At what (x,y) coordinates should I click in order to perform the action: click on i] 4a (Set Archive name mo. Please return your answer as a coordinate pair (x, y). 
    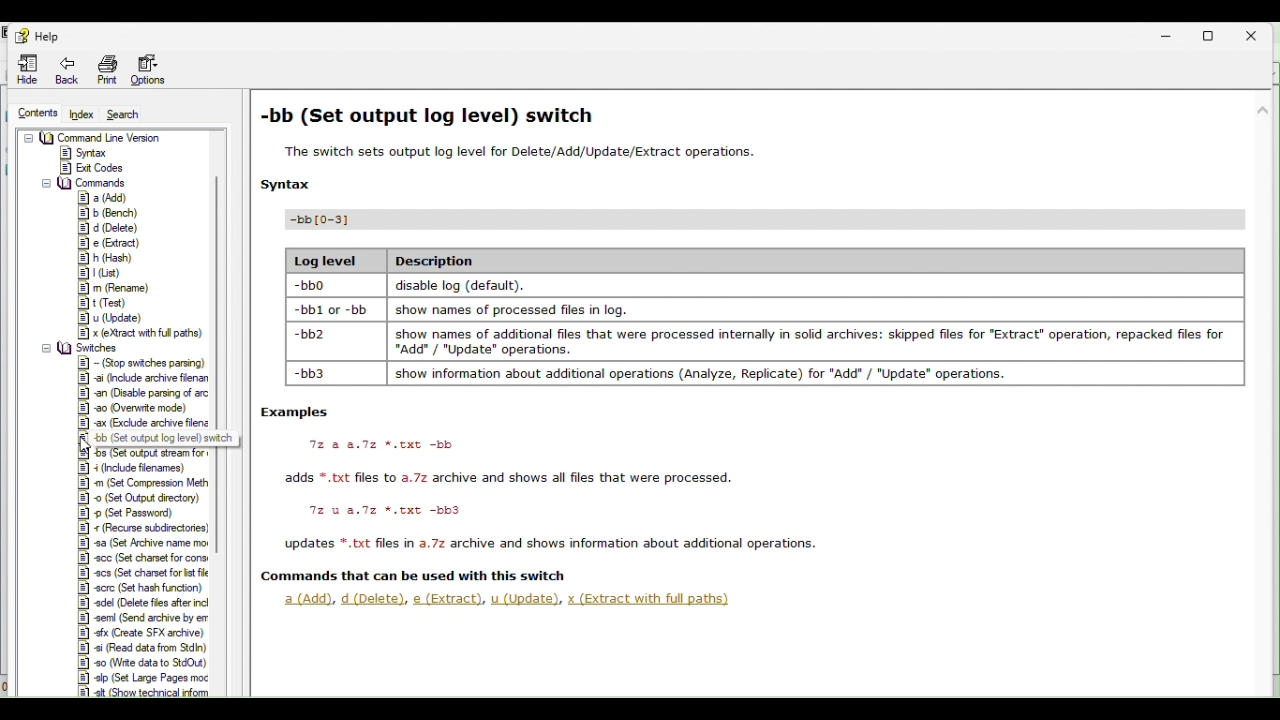
    Looking at the image, I should click on (143, 544).